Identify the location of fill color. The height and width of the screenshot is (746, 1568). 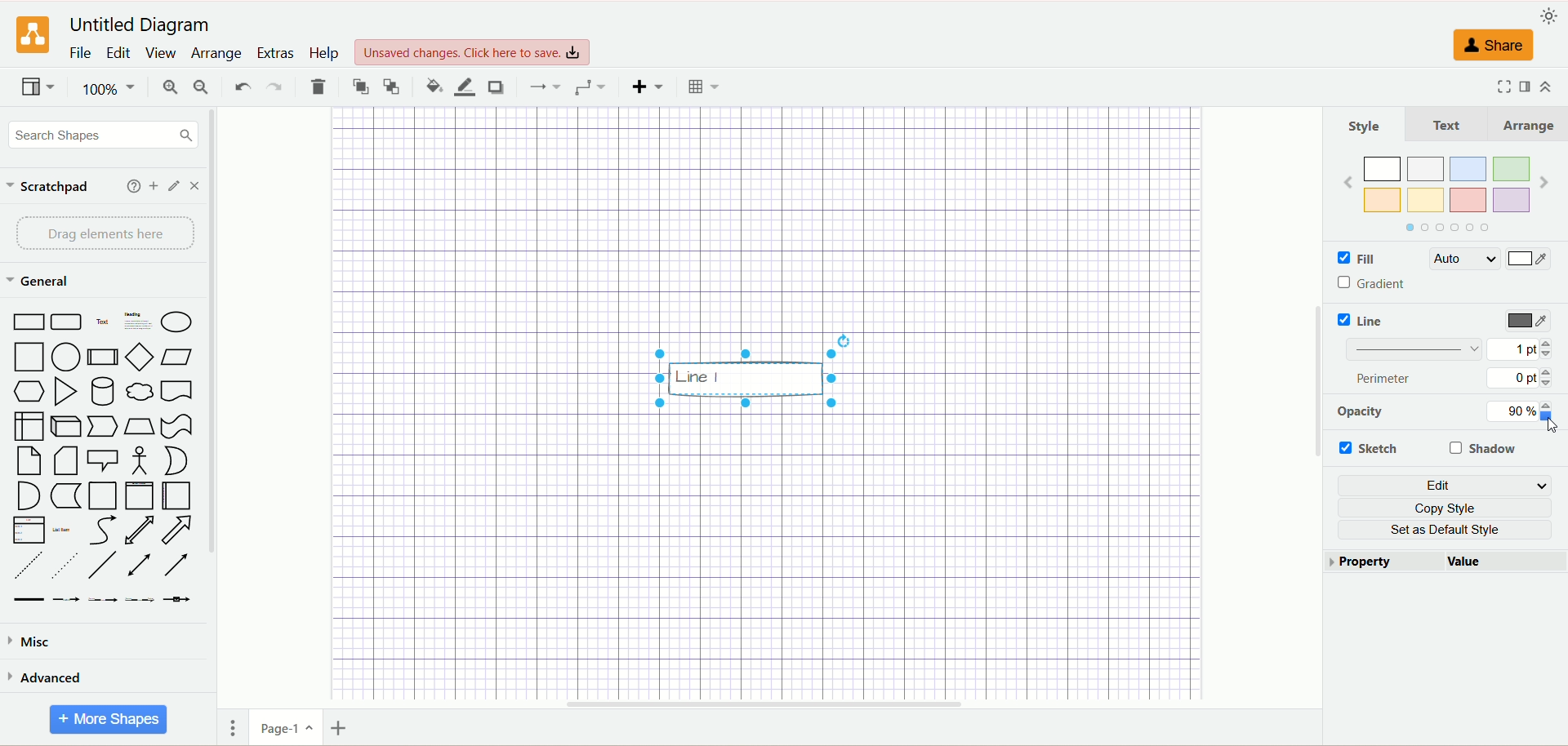
(428, 84).